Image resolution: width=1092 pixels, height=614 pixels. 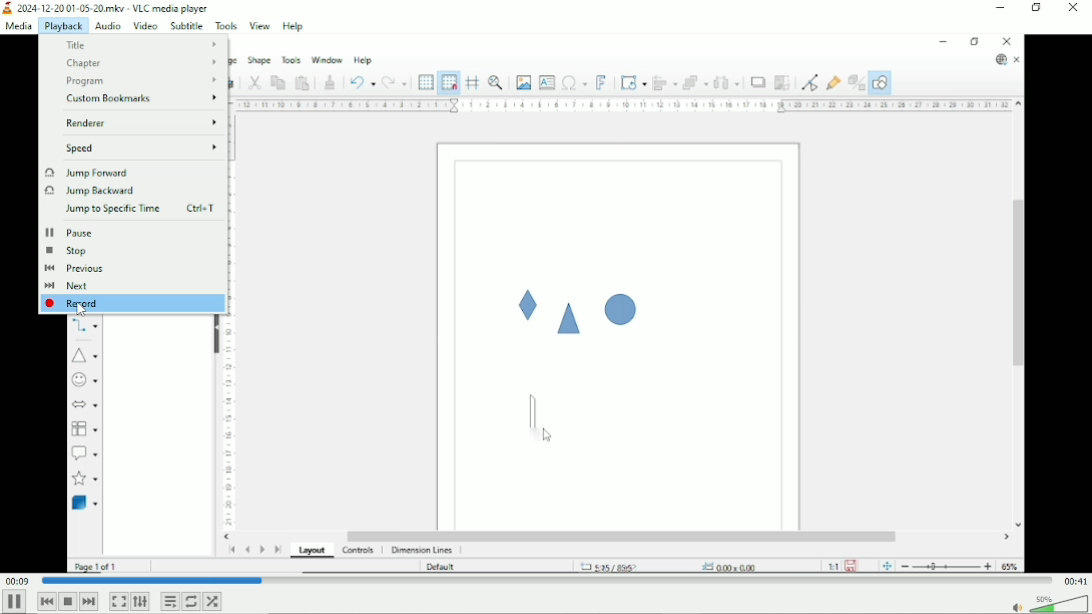 What do you see at coordinates (119, 601) in the screenshot?
I see `Toggle video in fullscreen` at bounding box center [119, 601].